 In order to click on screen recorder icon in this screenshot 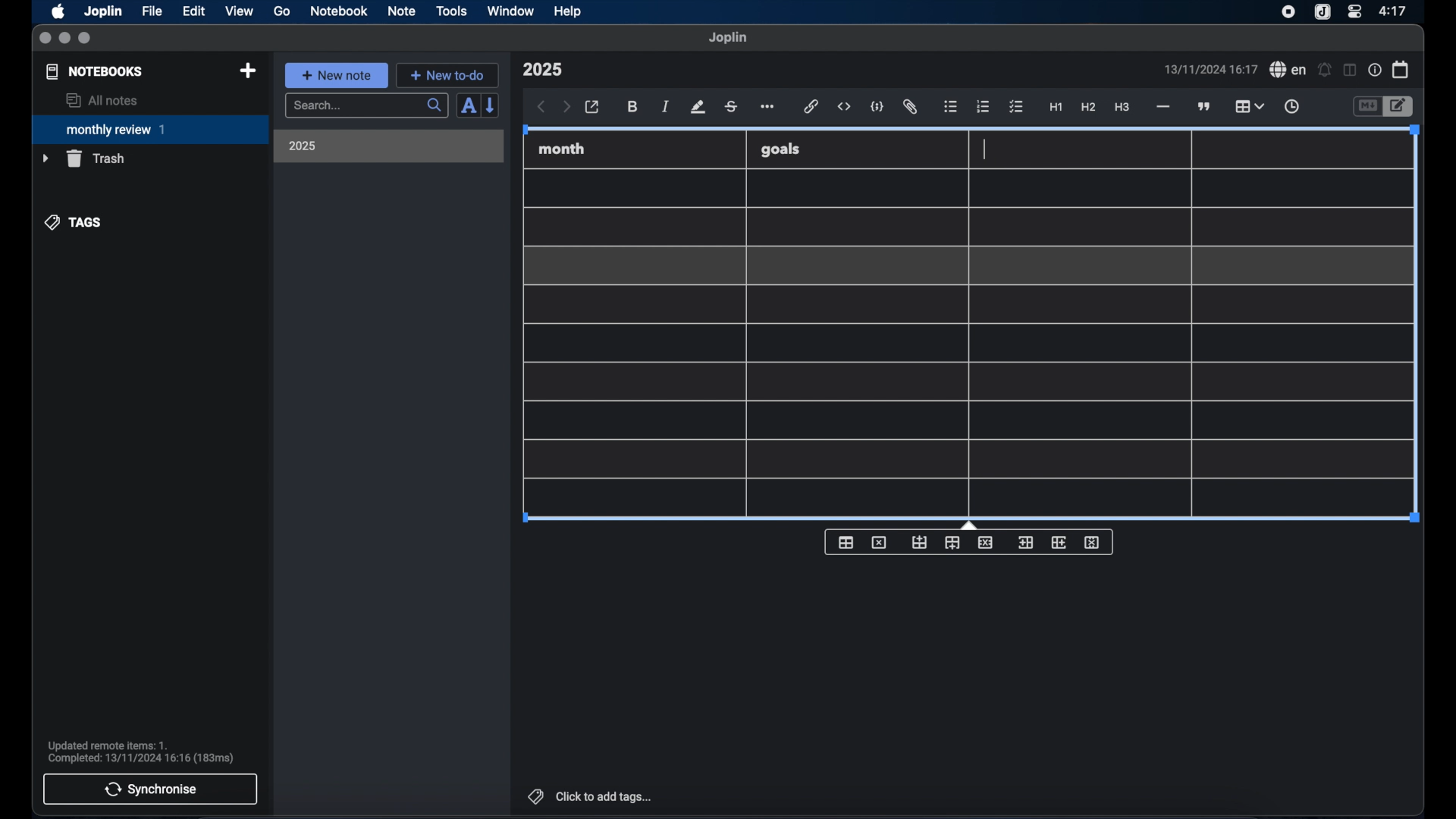, I will do `click(1288, 12)`.